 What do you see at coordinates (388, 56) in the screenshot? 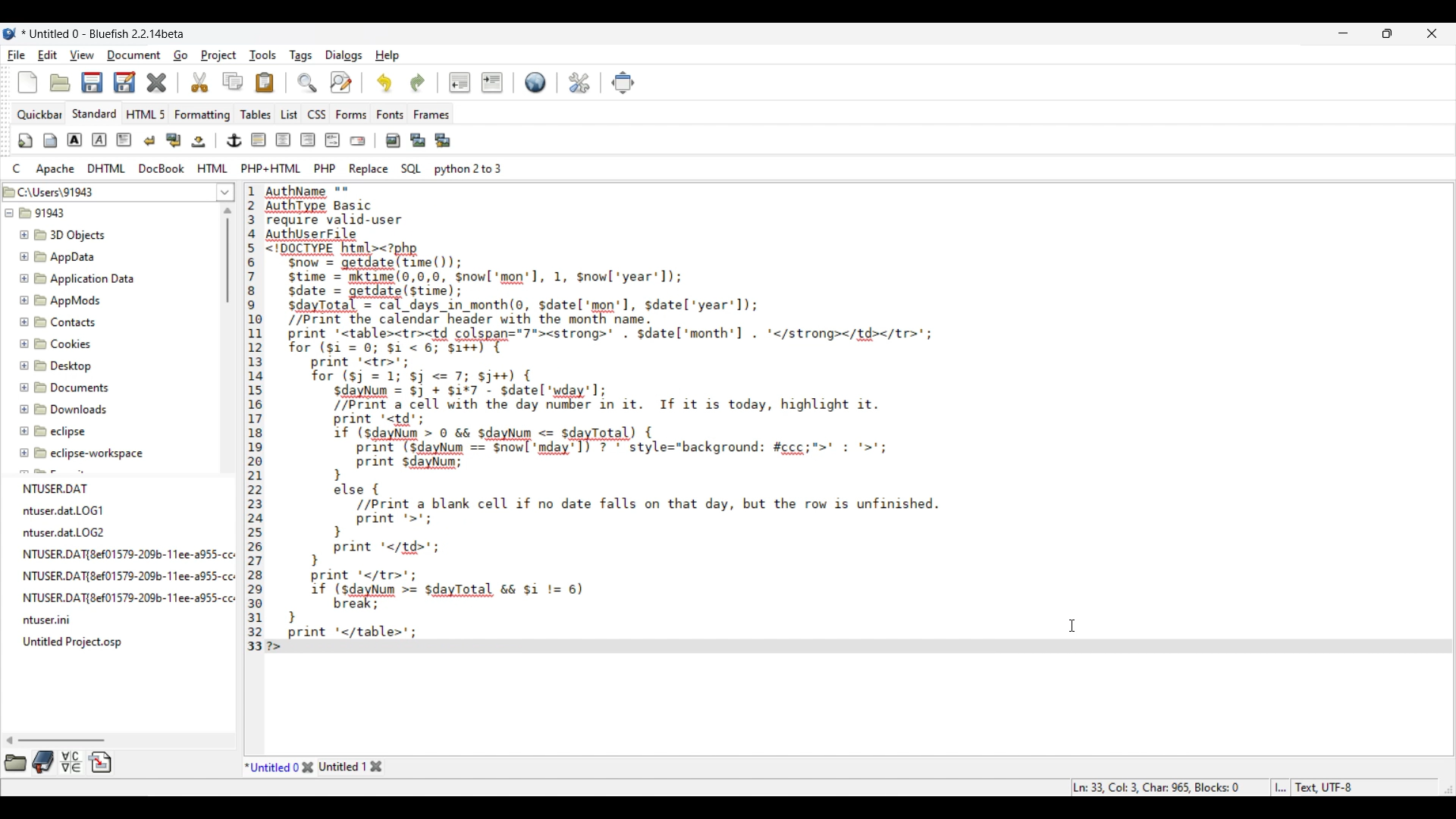
I see `Help menu` at bounding box center [388, 56].